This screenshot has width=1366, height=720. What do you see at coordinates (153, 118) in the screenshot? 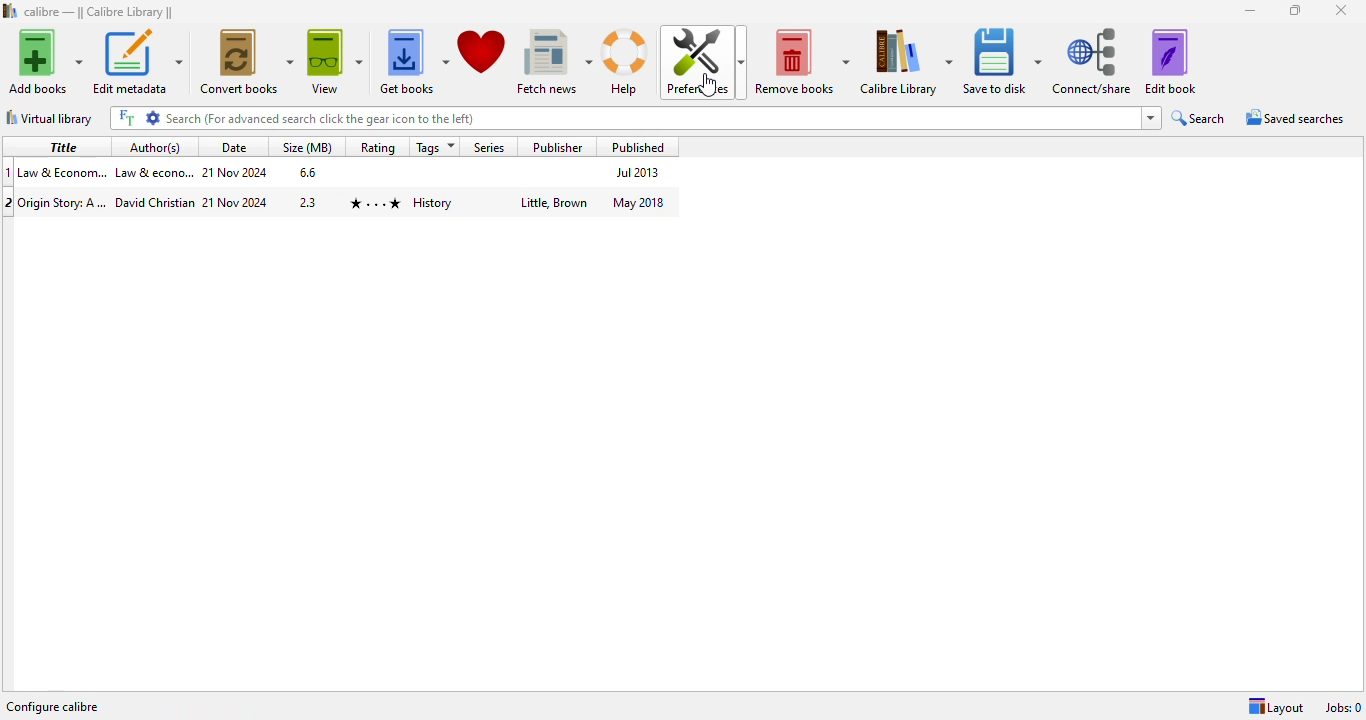
I see `advanced search` at bounding box center [153, 118].